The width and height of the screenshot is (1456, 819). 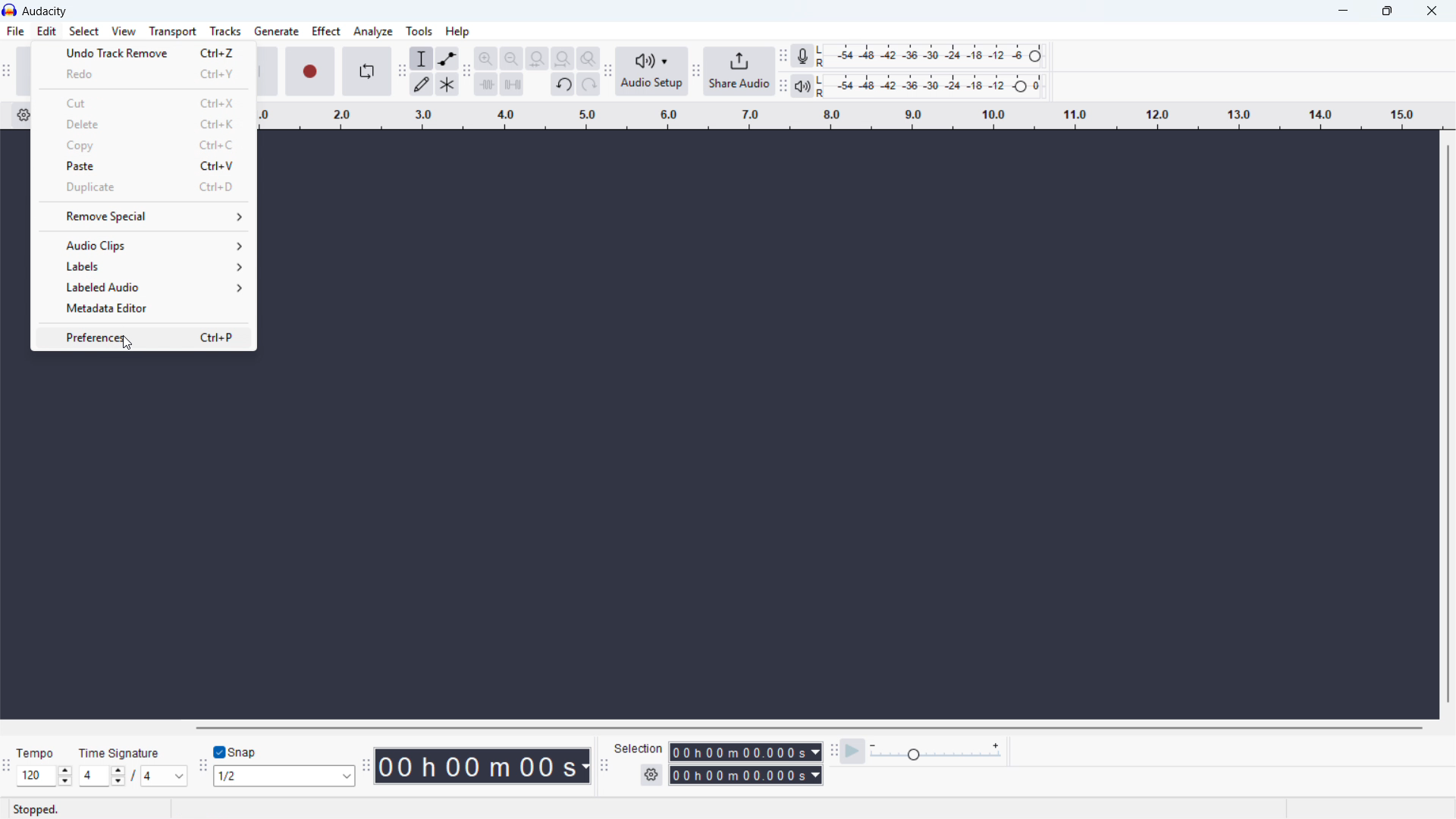 What do you see at coordinates (803, 86) in the screenshot?
I see `playback meter ` at bounding box center [803, 86].